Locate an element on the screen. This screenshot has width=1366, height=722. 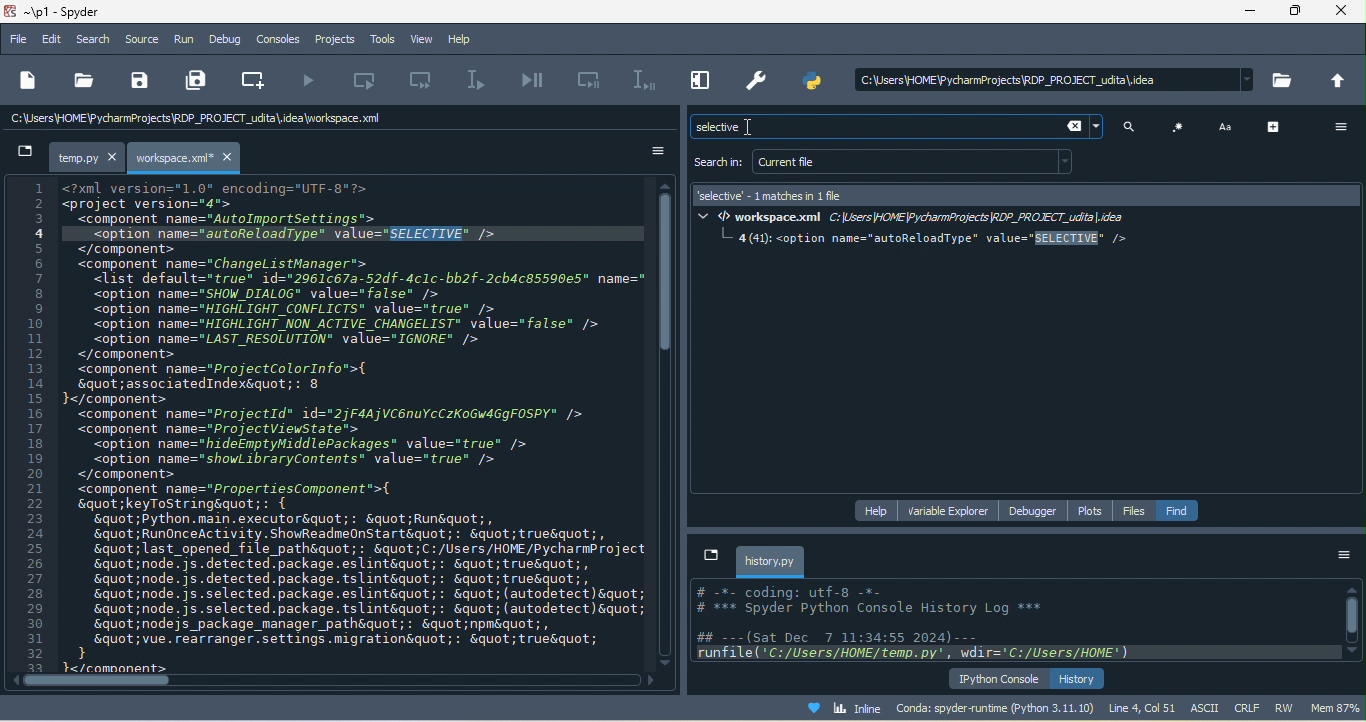
new is located at coordinates (28, 79).